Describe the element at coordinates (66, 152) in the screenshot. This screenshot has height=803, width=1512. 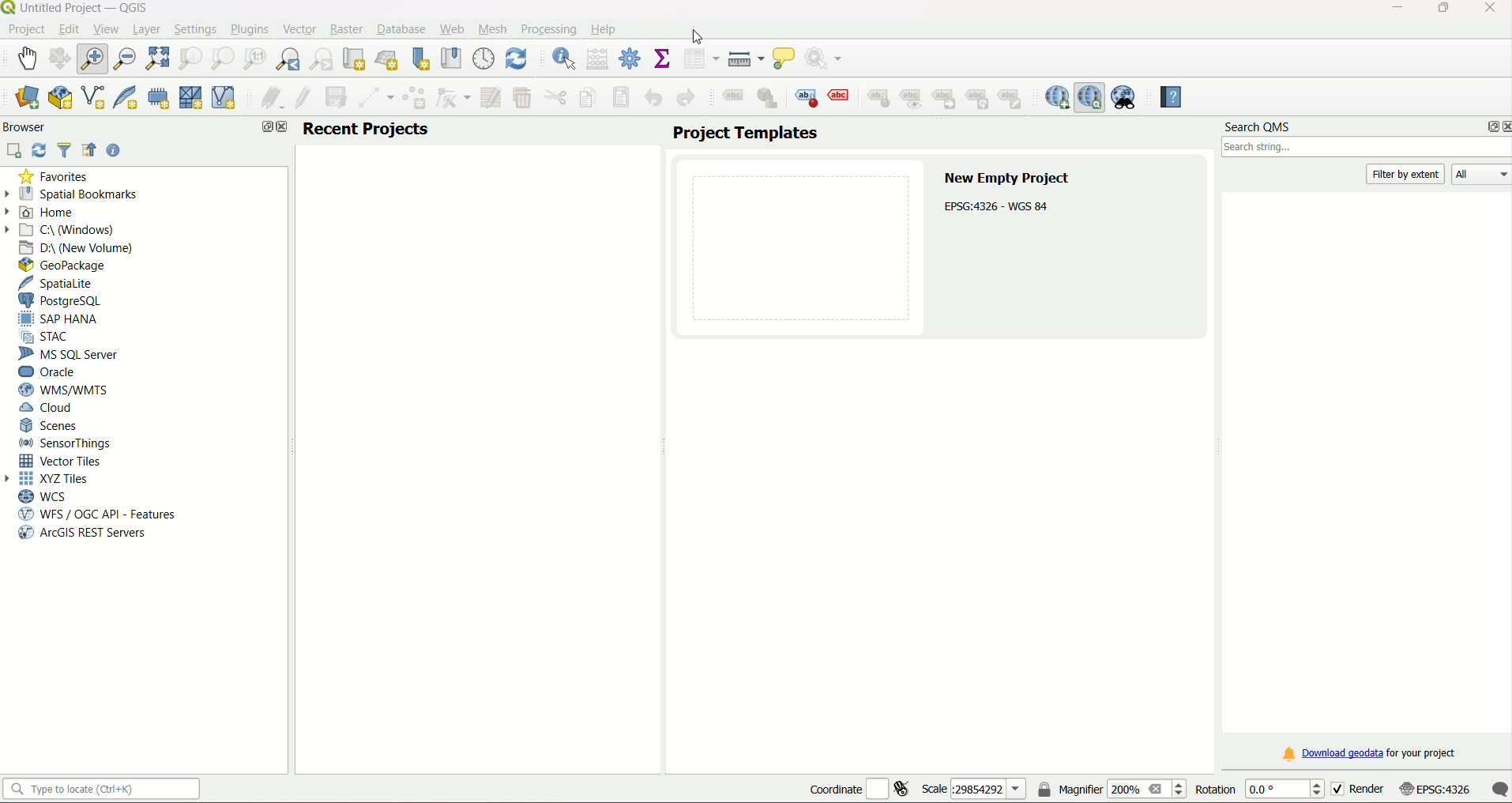
I see `filter browser` at that location.